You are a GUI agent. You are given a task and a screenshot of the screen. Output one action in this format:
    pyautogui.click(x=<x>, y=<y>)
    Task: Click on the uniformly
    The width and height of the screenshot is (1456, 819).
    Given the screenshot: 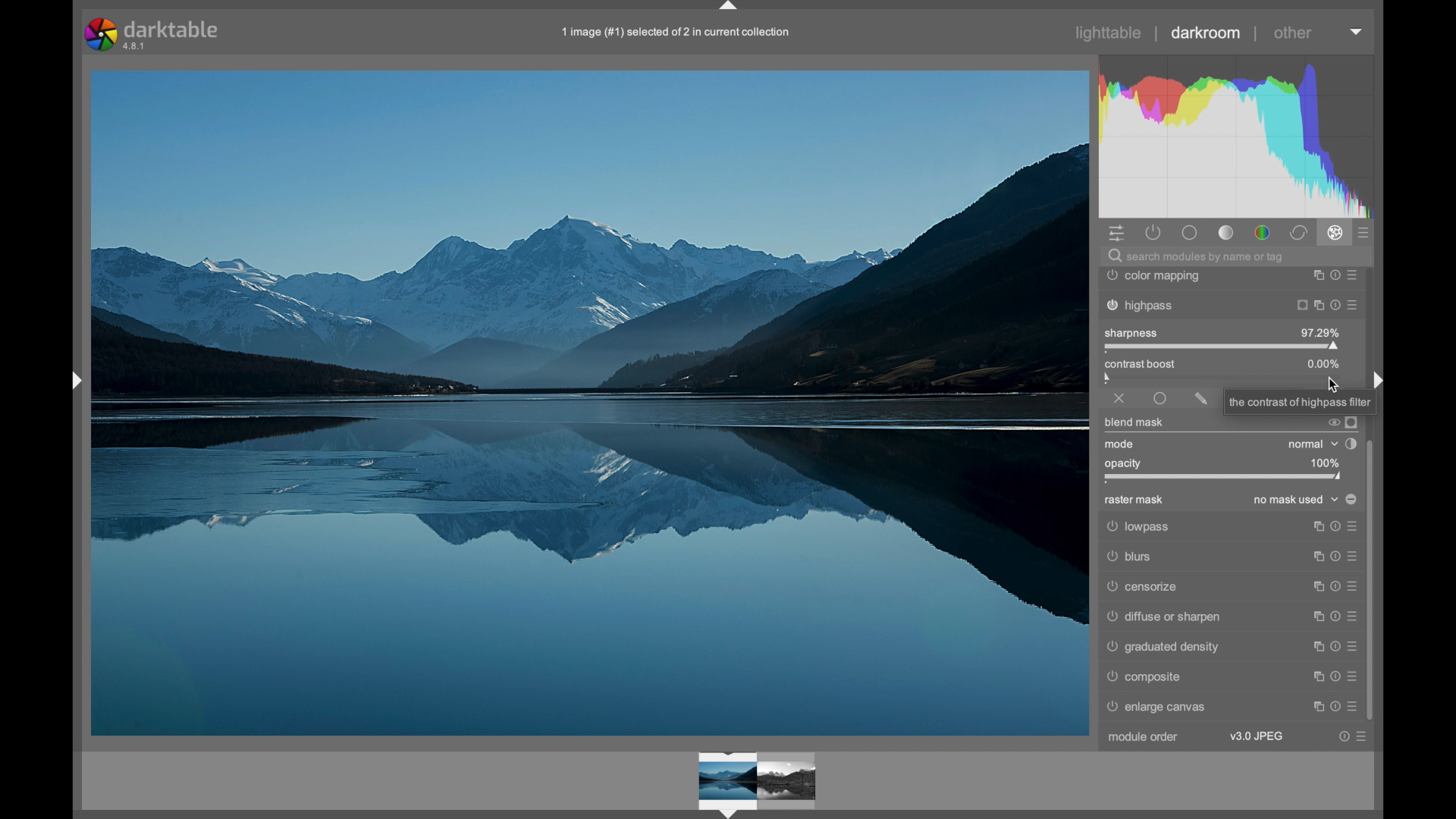 What is the action you would take?
    pyautogui.click(x=1160, y=398)
    